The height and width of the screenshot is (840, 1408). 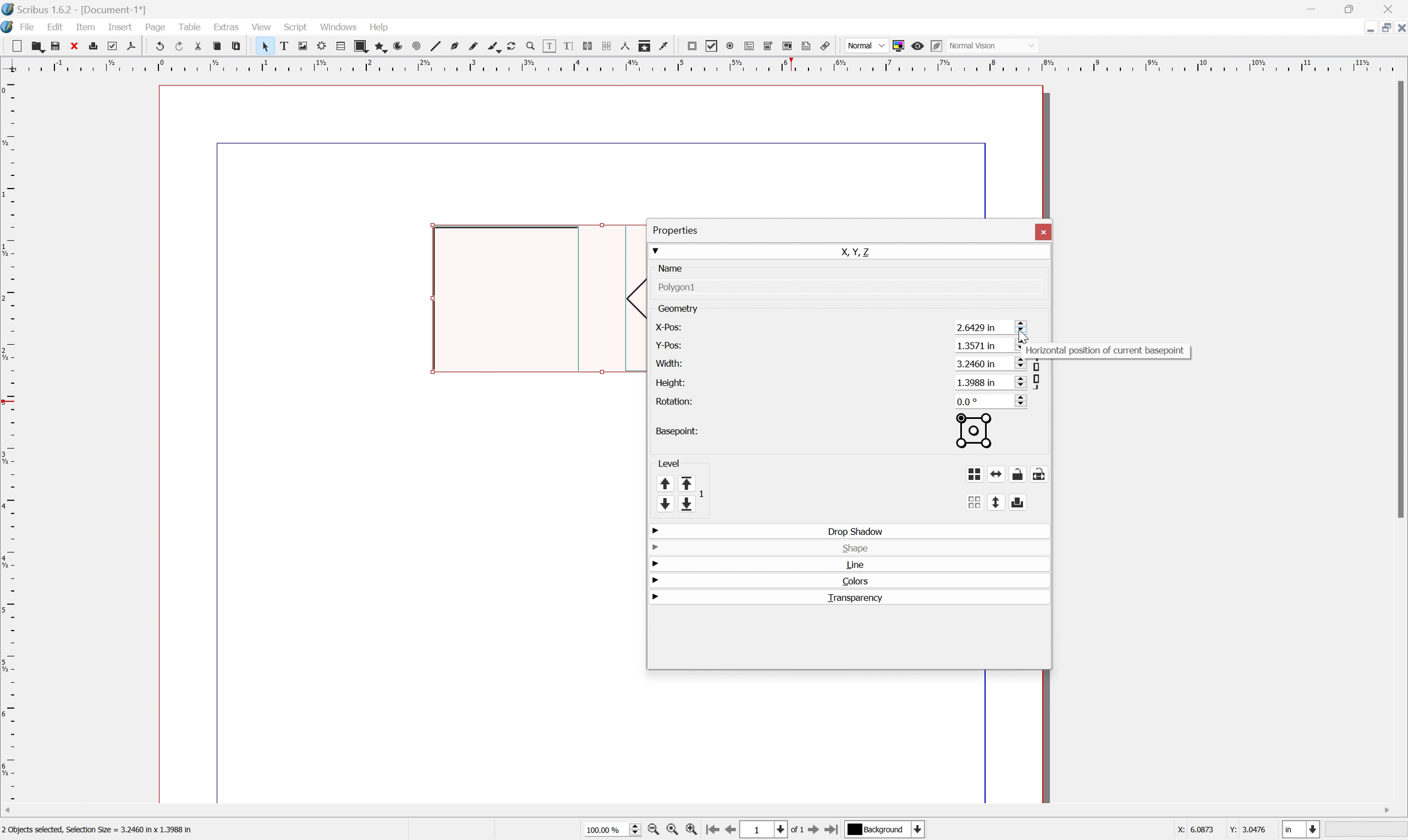 I want to click on drop down, so click(x=658, y=248).